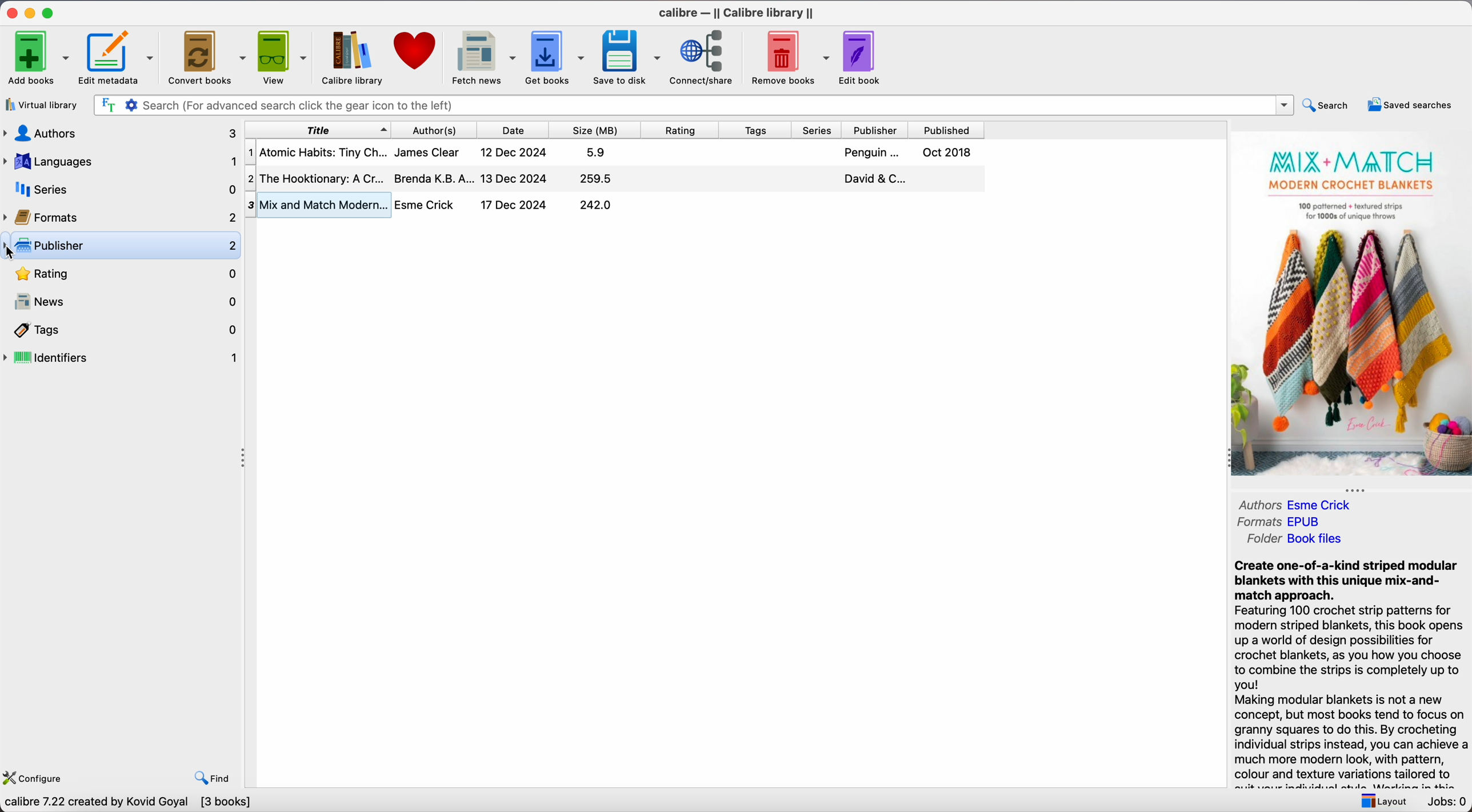  What do you see at coordinates (122, 301) in the screenshot?
I see `news` at bounding box center [122, 301].